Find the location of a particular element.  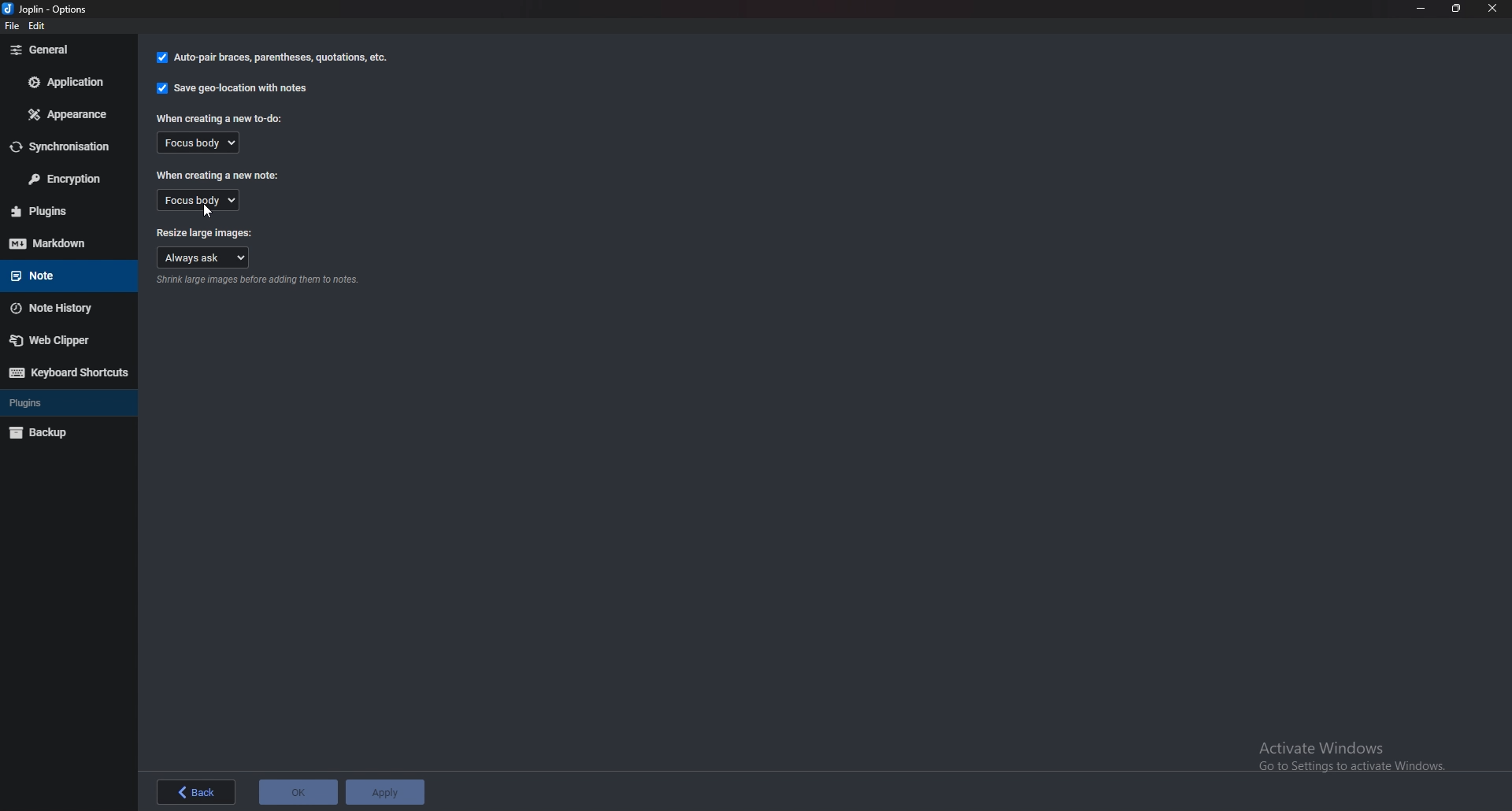

Close is located at coordinates (1492, 8).